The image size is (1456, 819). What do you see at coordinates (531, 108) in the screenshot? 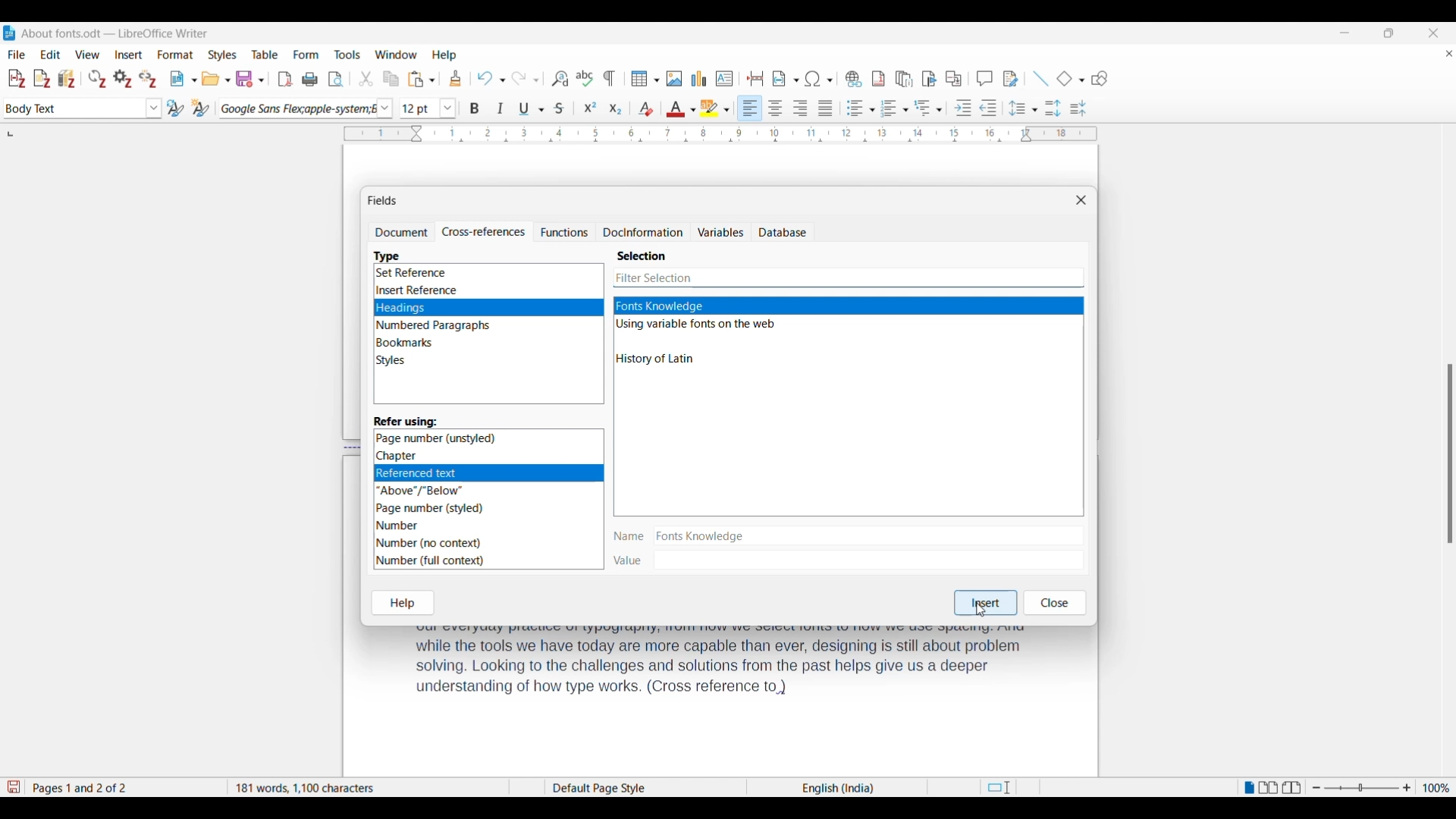
I see `Underline options` at bounding box center [531, 108].